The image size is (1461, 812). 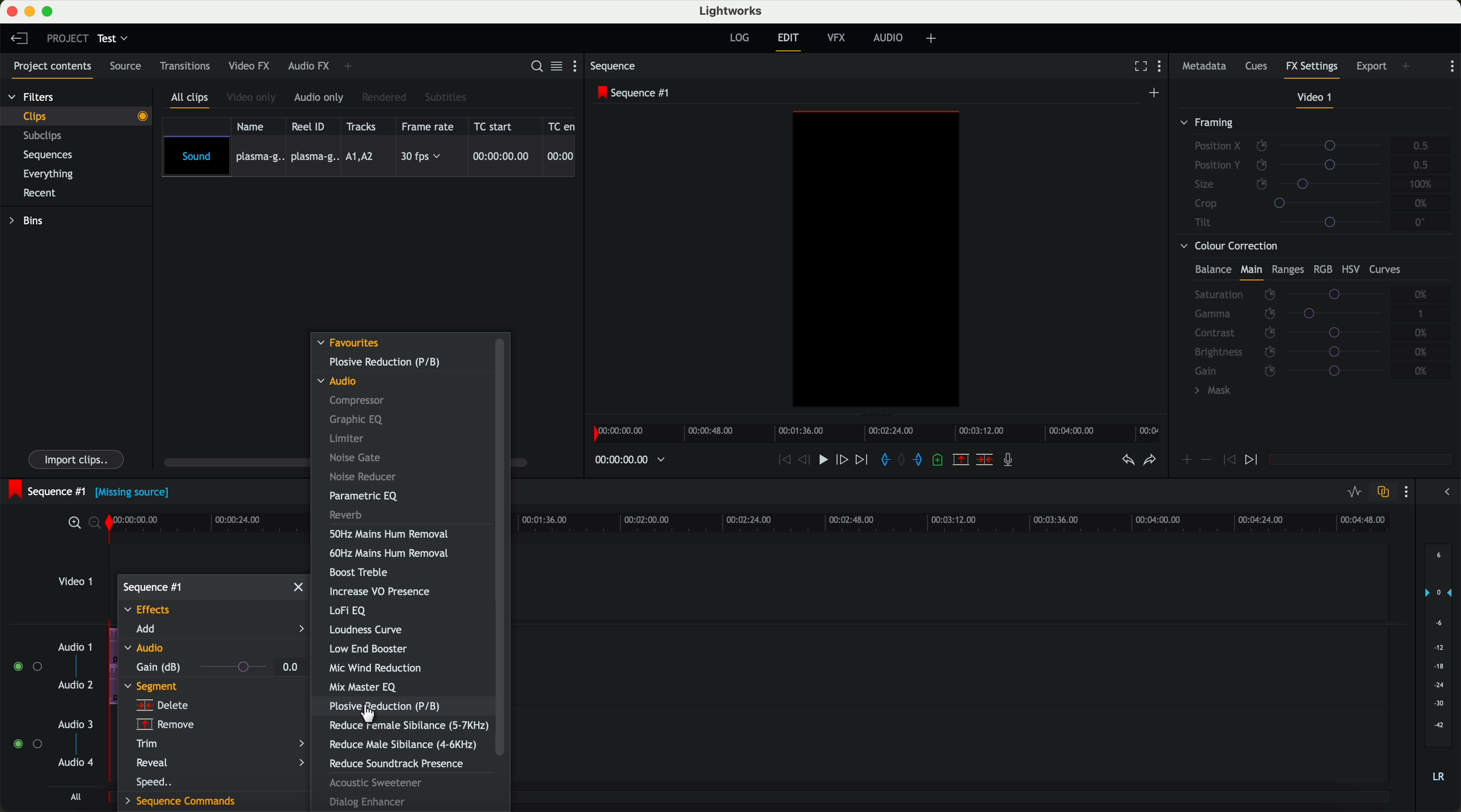 What do you see at coordinates (151, 611) in the screenshot?
I see `effects` at bounding box center [151, 611].